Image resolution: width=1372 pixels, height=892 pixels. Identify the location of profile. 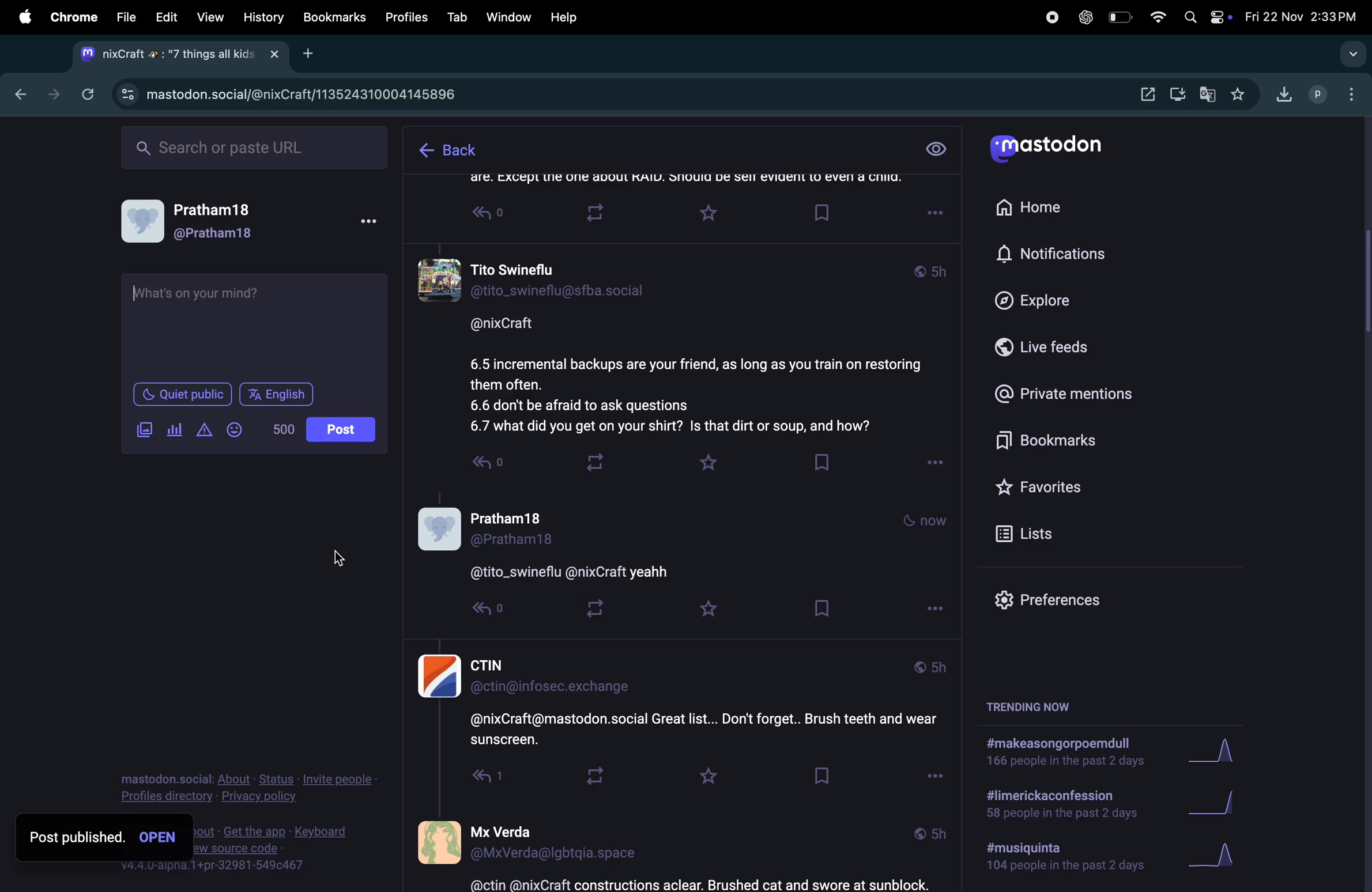
(1317, 96).